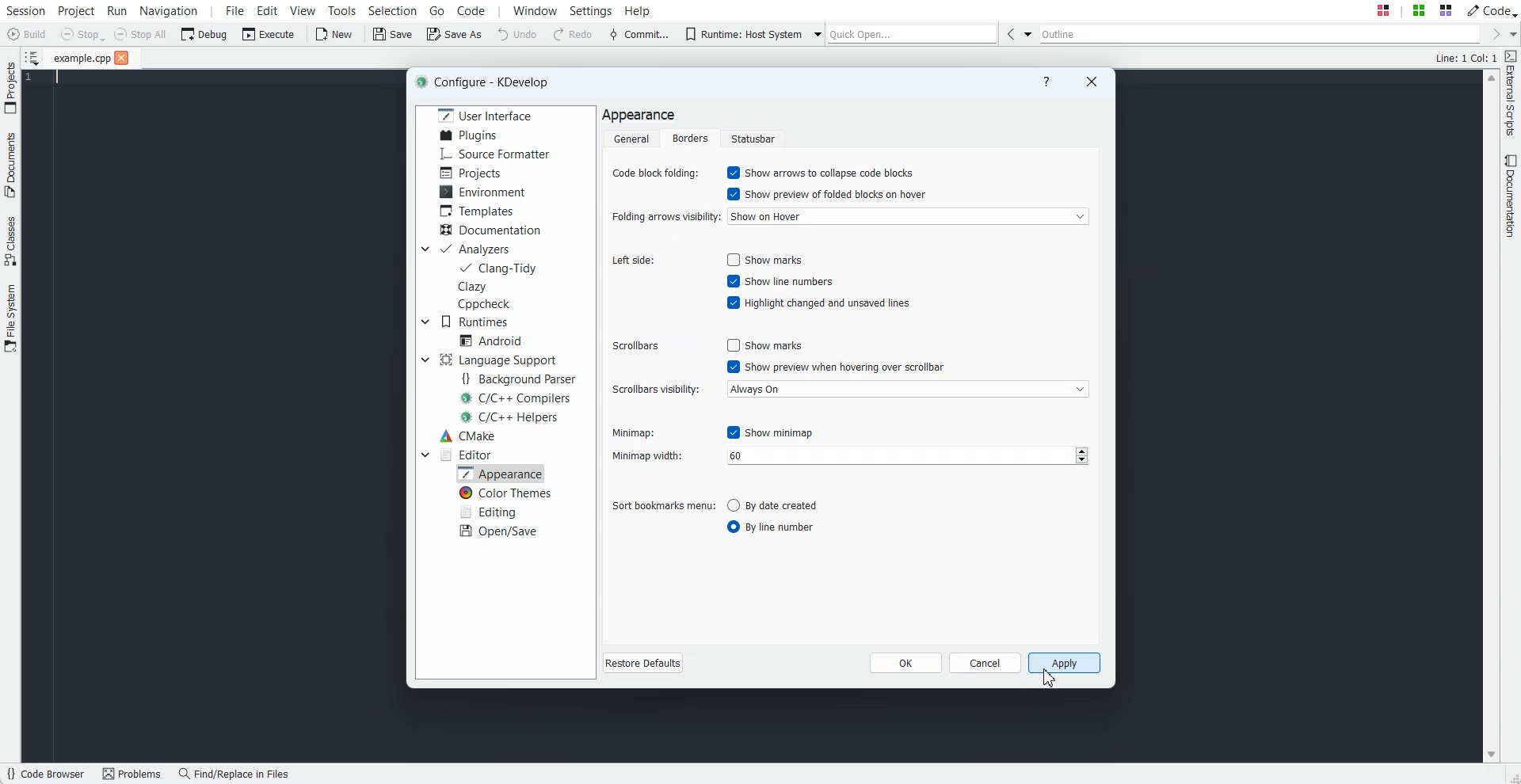 The height and width of the screenshot is (784, 1521). I want to click on Enable show line numbers, so click(780, 280).